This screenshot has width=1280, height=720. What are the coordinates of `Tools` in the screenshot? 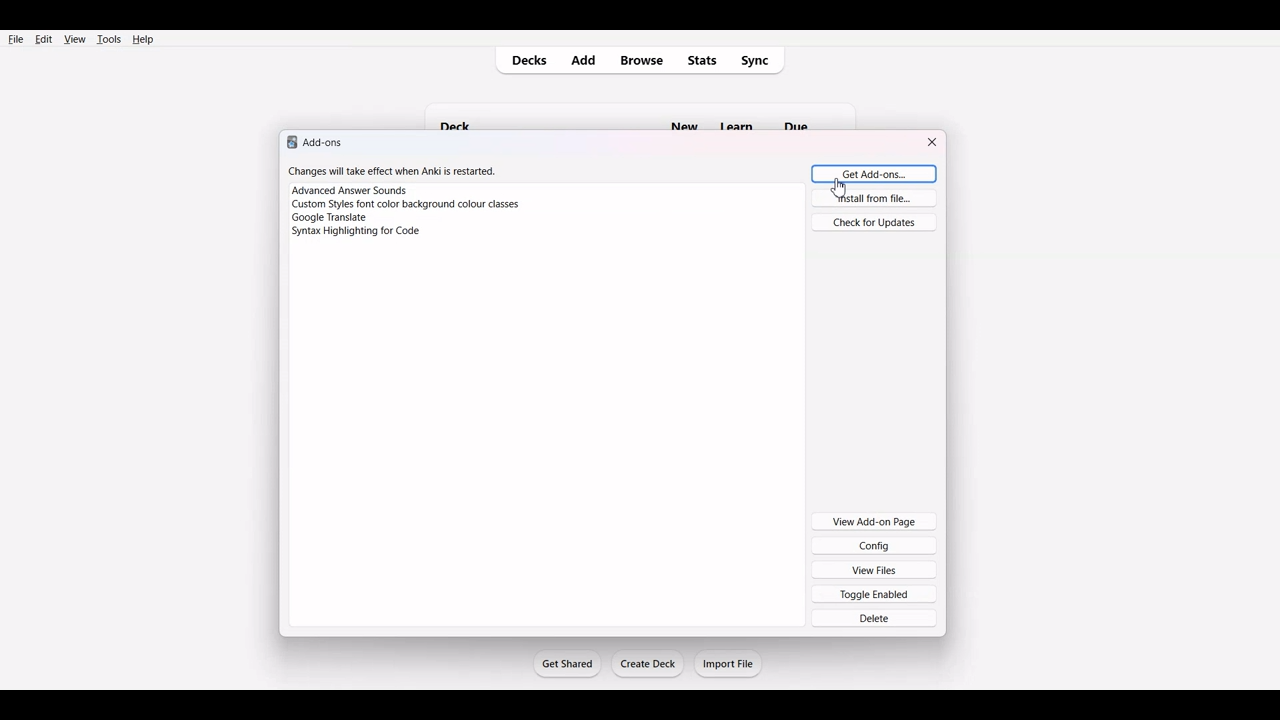 It's located at (108, 39).